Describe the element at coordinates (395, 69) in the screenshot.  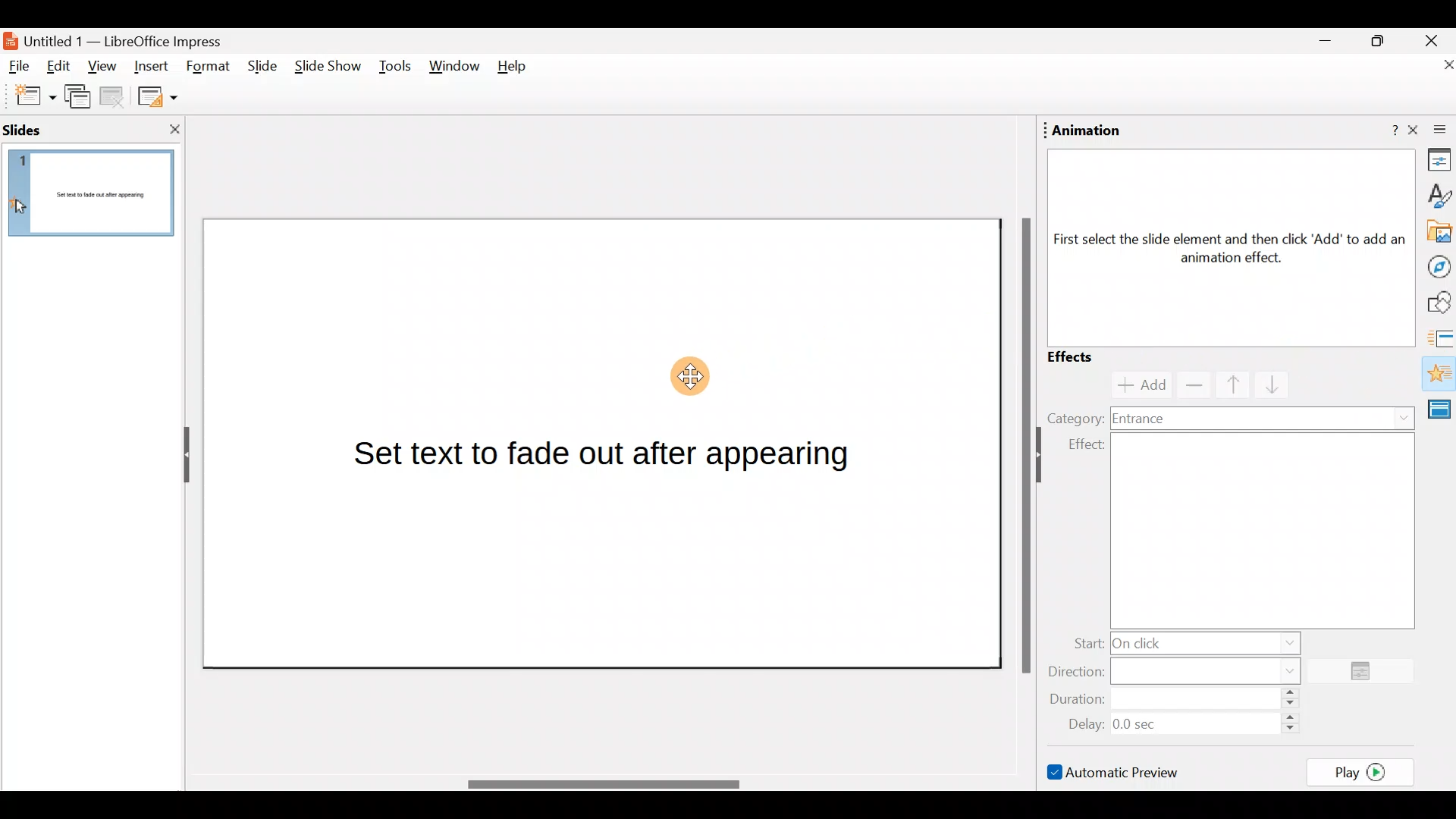
I see `Tools` at that location.